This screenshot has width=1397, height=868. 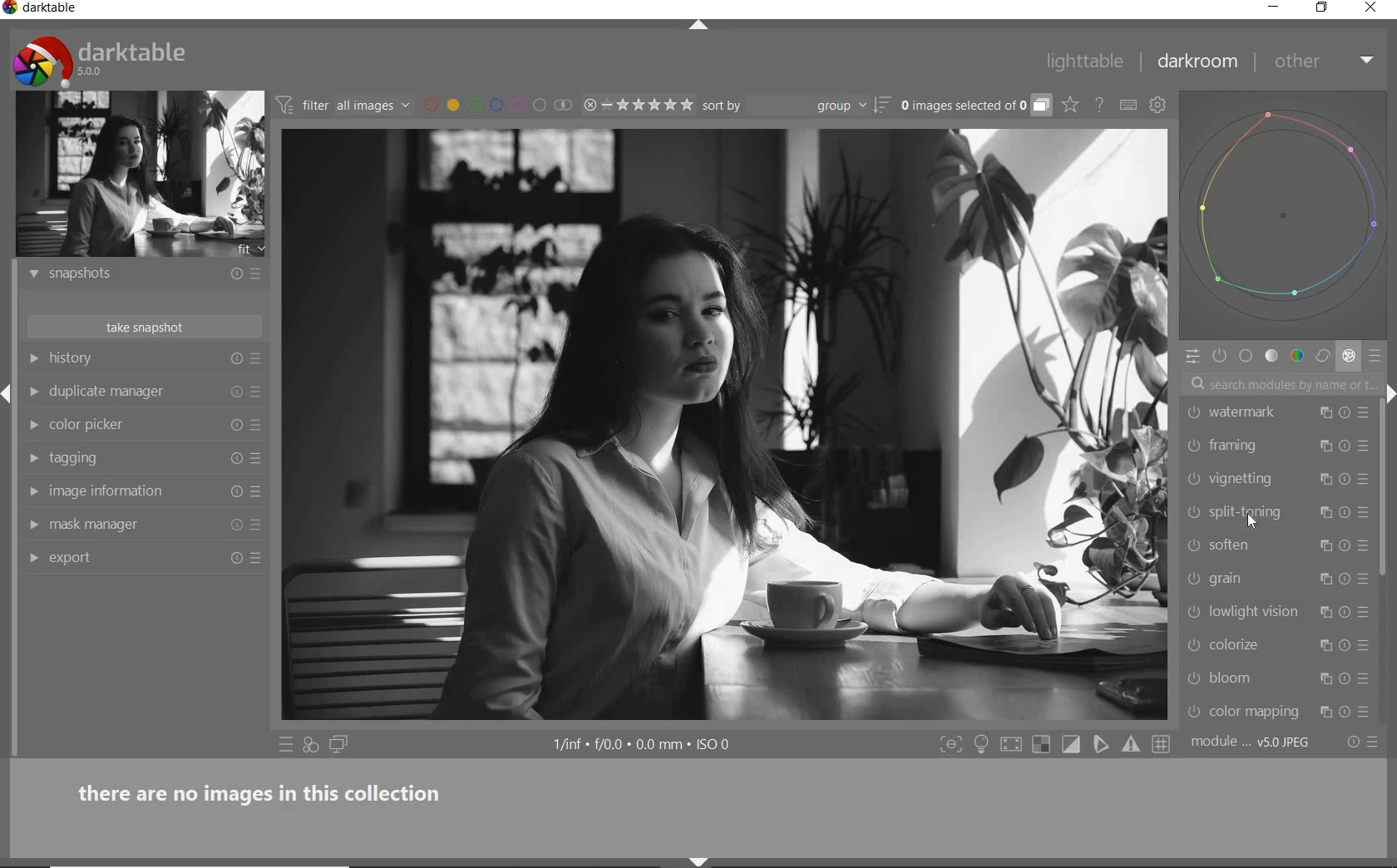 I want to click on reset, so click(x=232, y=276).